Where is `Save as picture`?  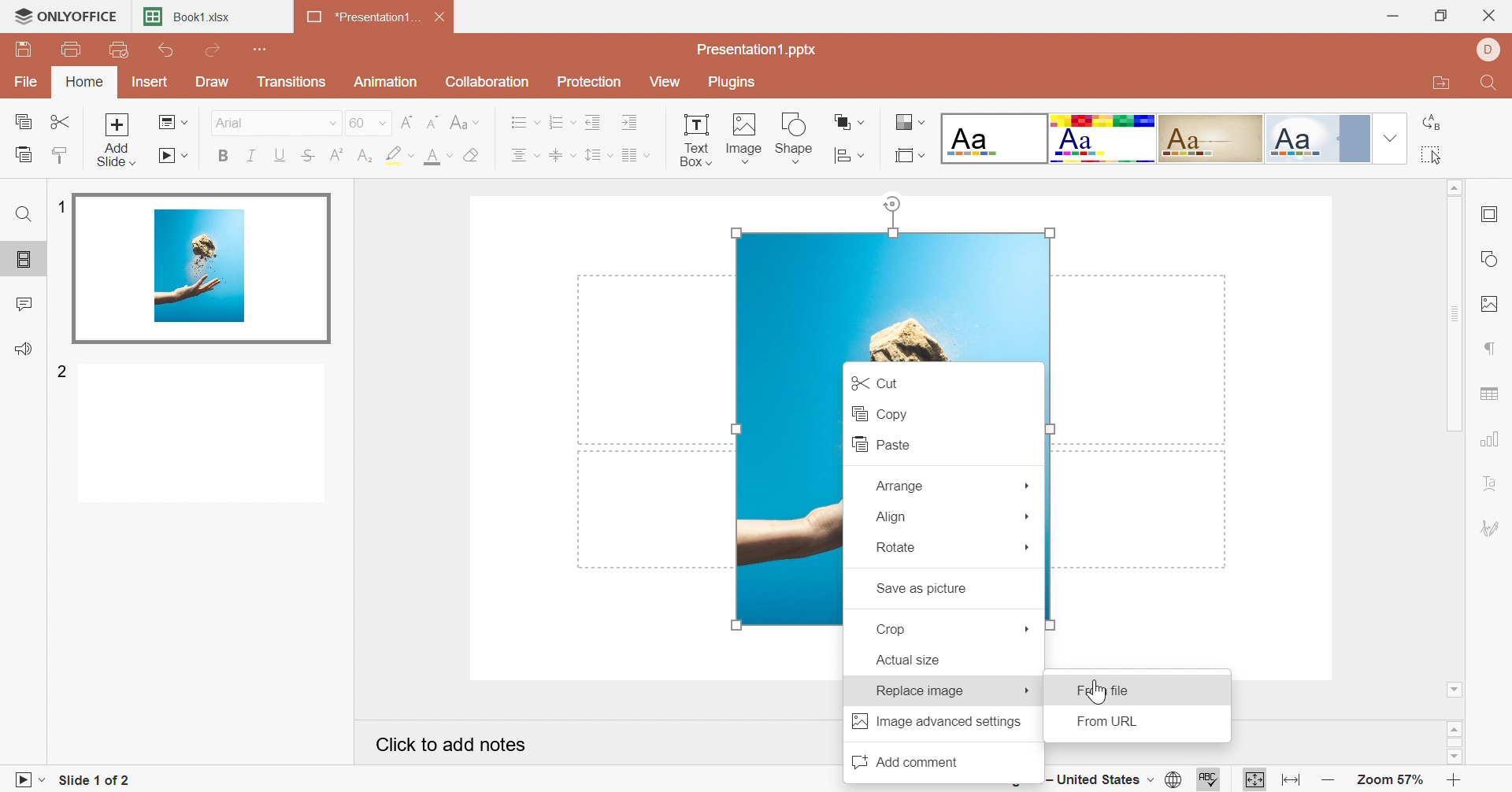
Save as picture is located at coordinates (921, 590).